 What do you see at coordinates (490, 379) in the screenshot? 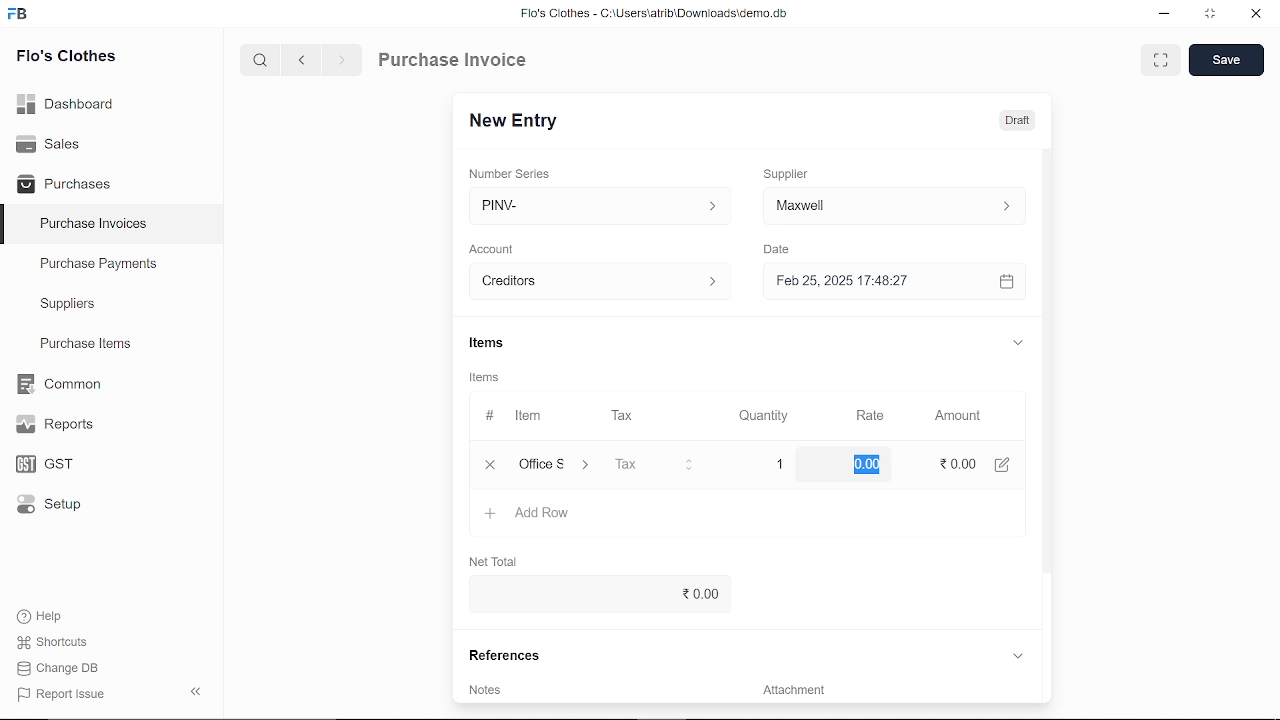
I see `Items` at bounding box center [490, 379].